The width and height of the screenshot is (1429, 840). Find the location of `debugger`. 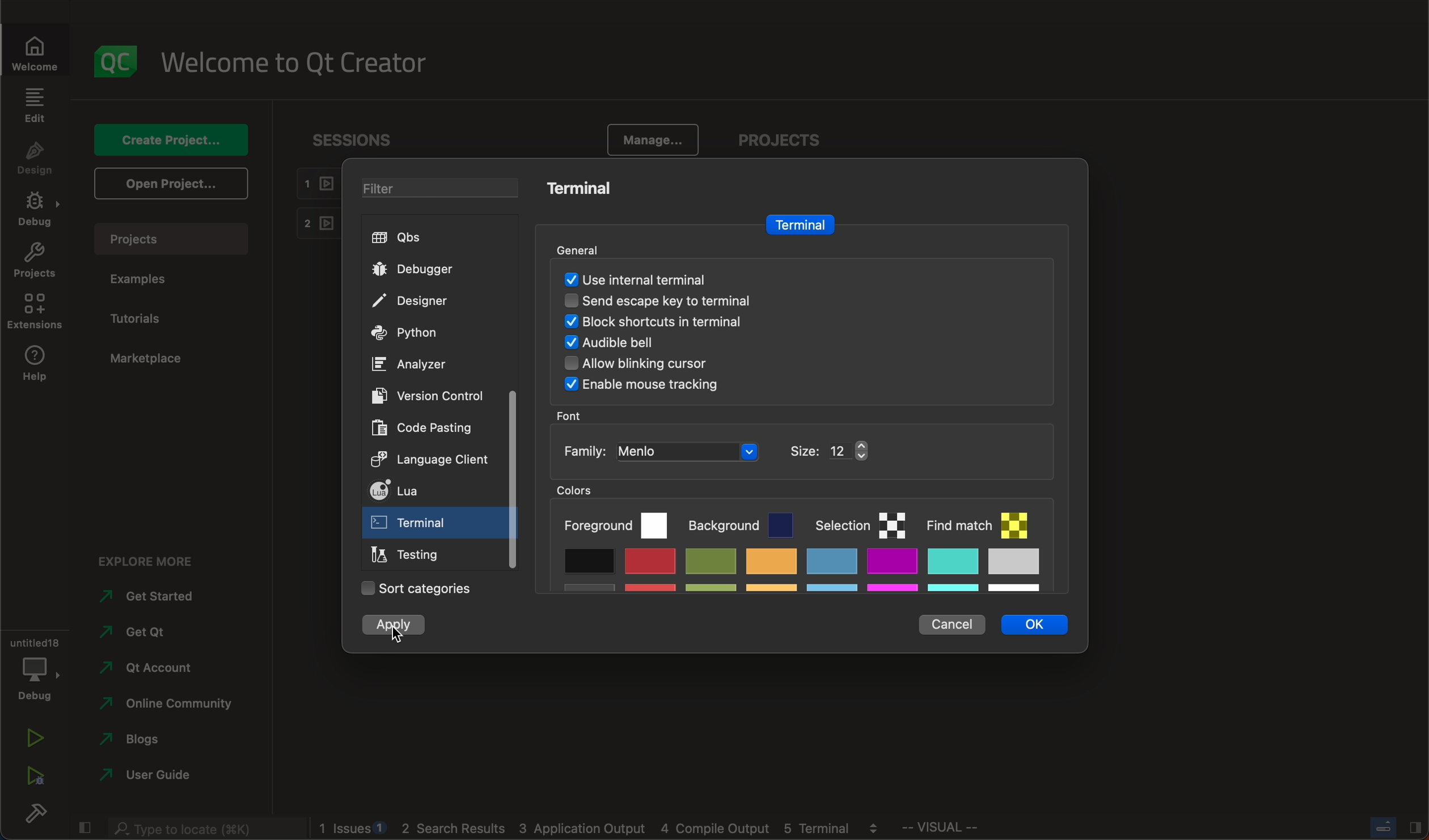

debugger is located at coordinates (424, 269).